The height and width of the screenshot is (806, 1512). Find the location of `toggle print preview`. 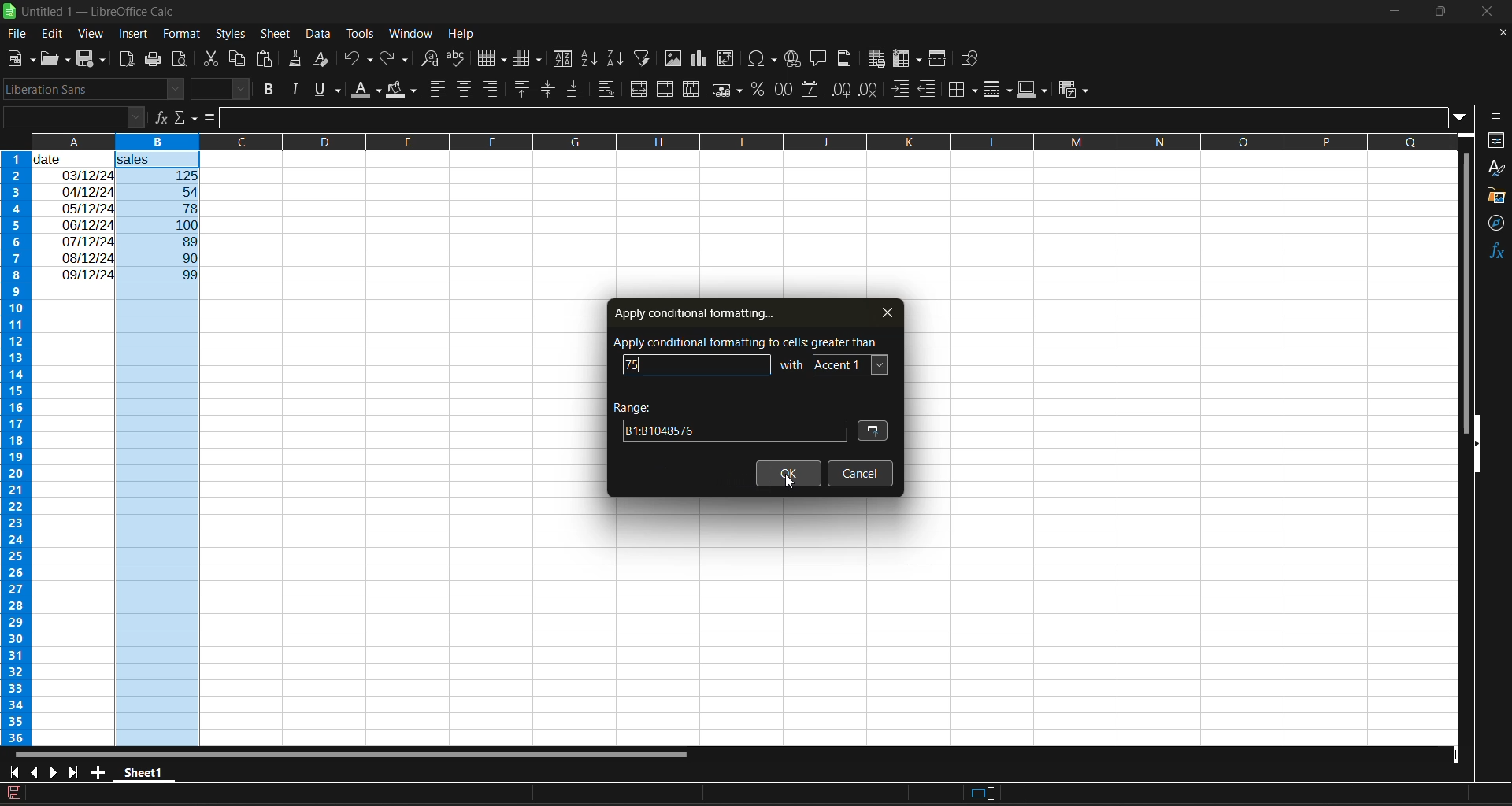

toggle print preview is located at coordinates (180, 57).